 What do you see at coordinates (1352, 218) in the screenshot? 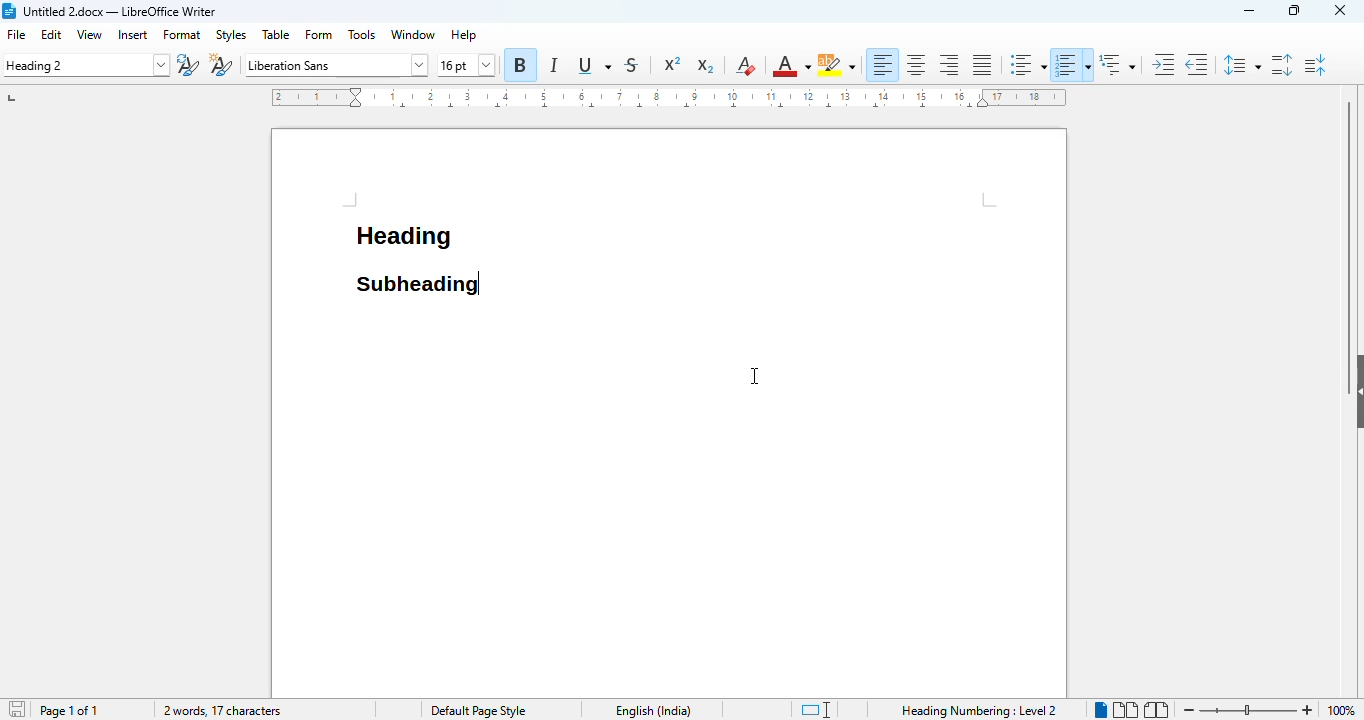
I see `vertical scroll bar` at bounding box center [1352, 218].